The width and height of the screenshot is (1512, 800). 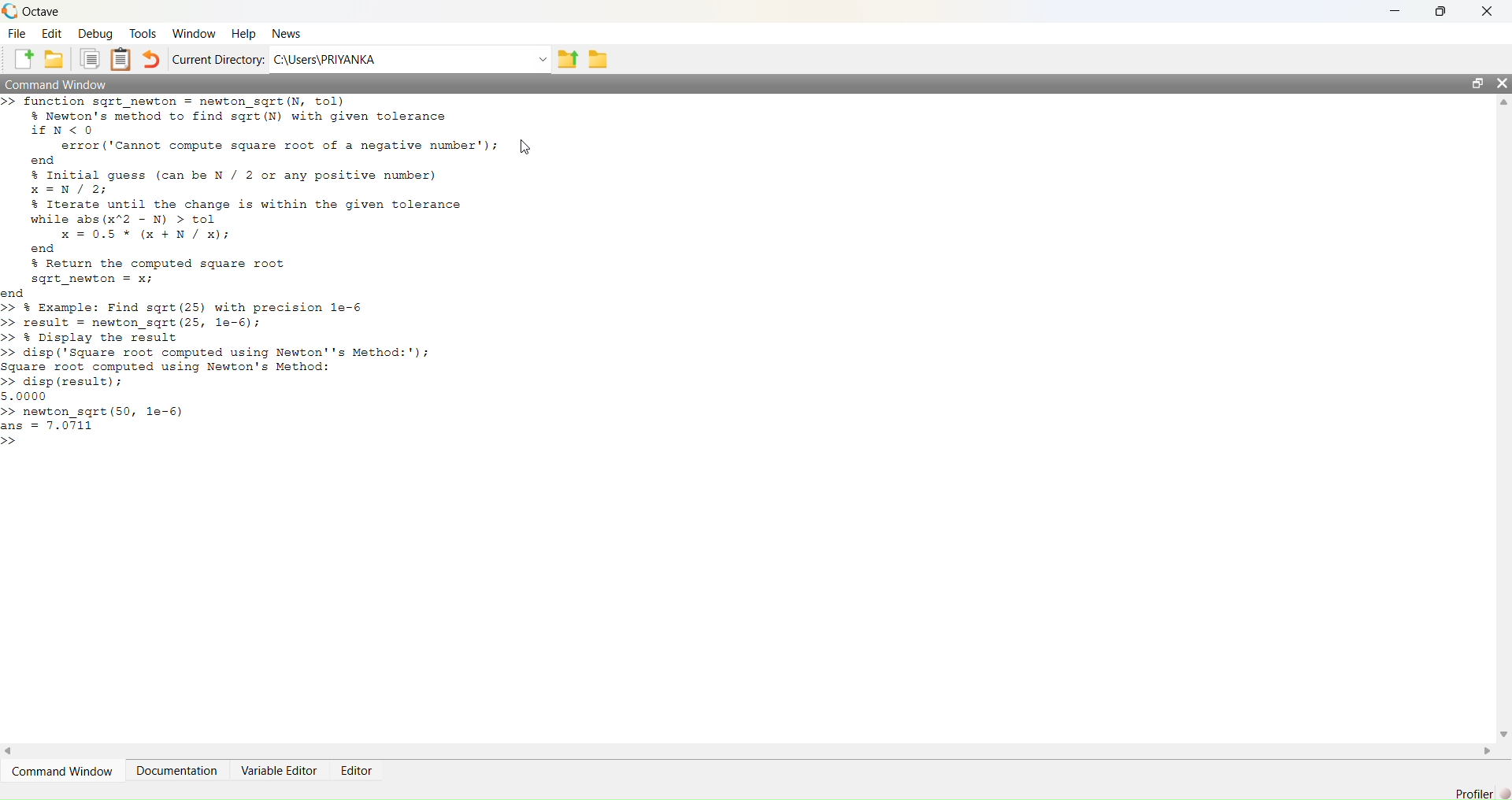 What do you see at coordinates (122, 59) in the screenshot?
I see `Paste` at bounding box center [122, 59].